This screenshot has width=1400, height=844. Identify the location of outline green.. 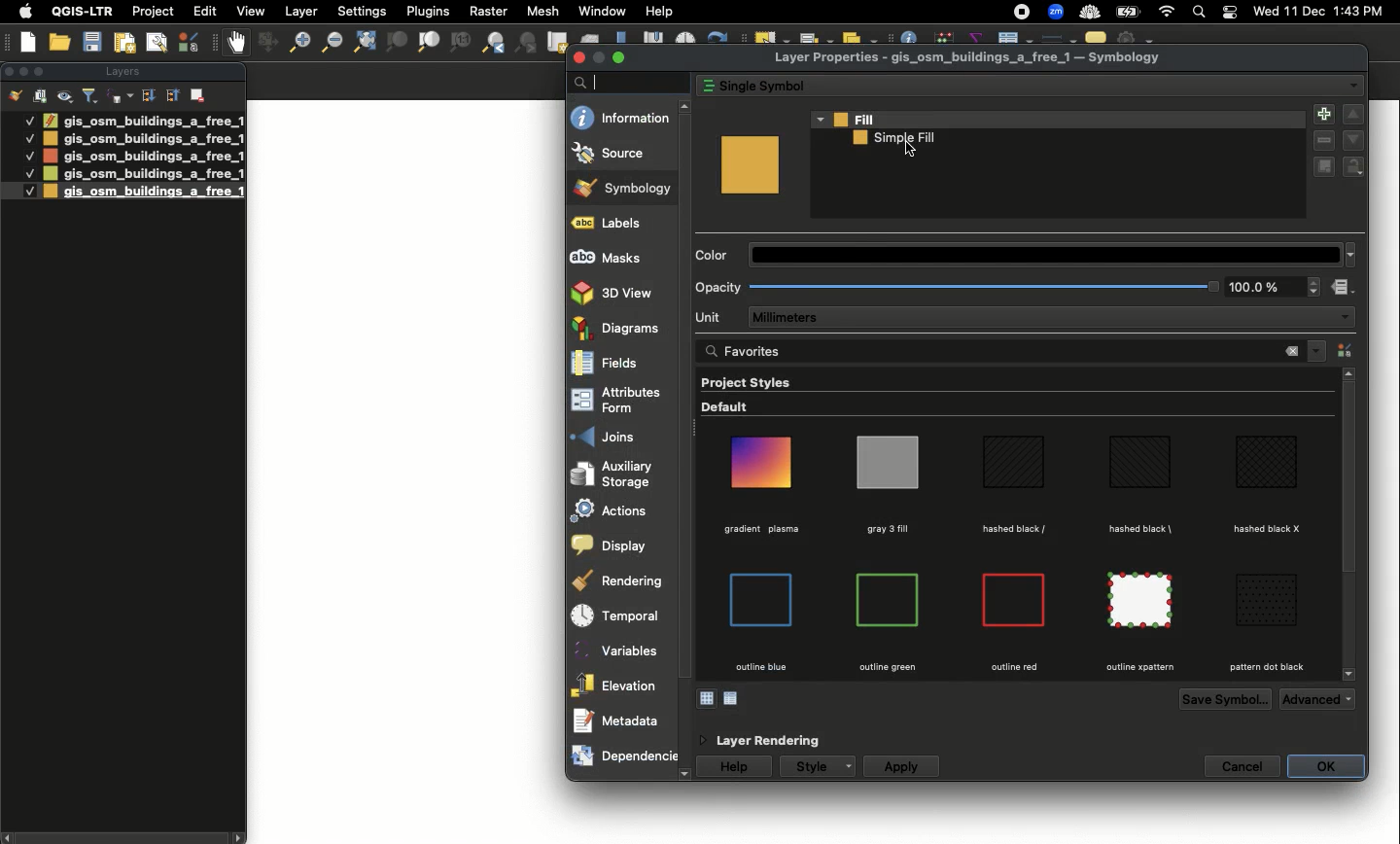
(889, 667).